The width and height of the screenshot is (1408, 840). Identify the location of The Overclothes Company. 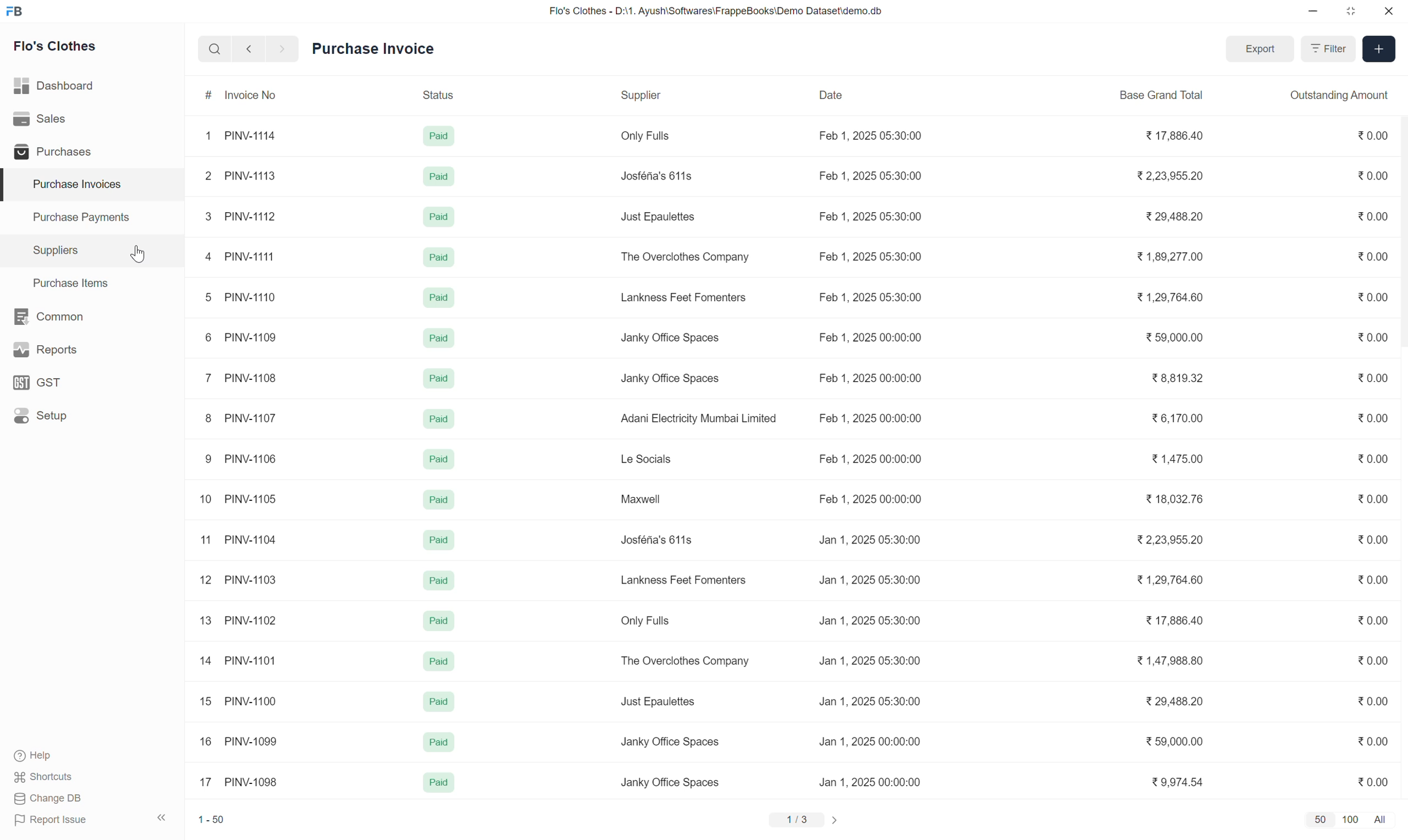
(685, 256).